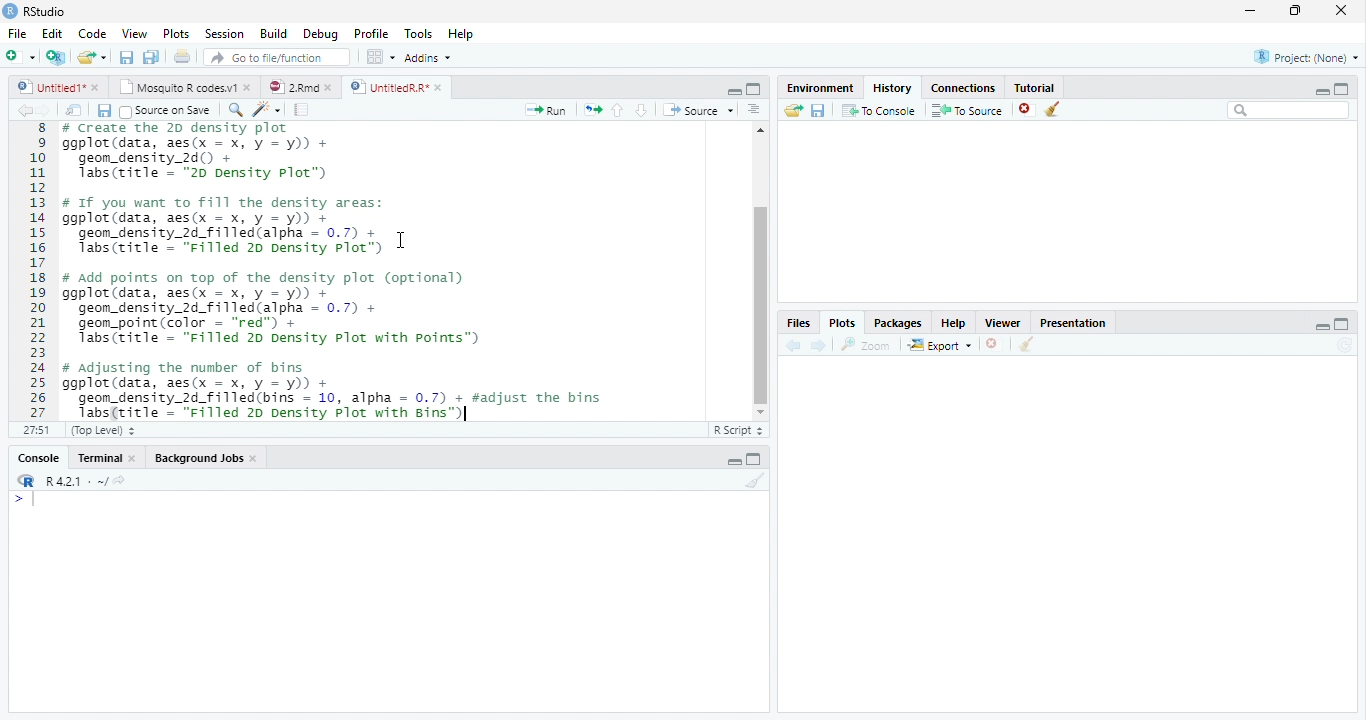 This screenshot has width=1366, height=720. What do you see at coordinates (163, 111) in the screenshot?
I see `Source on Save` at bounding box center [163, 111].